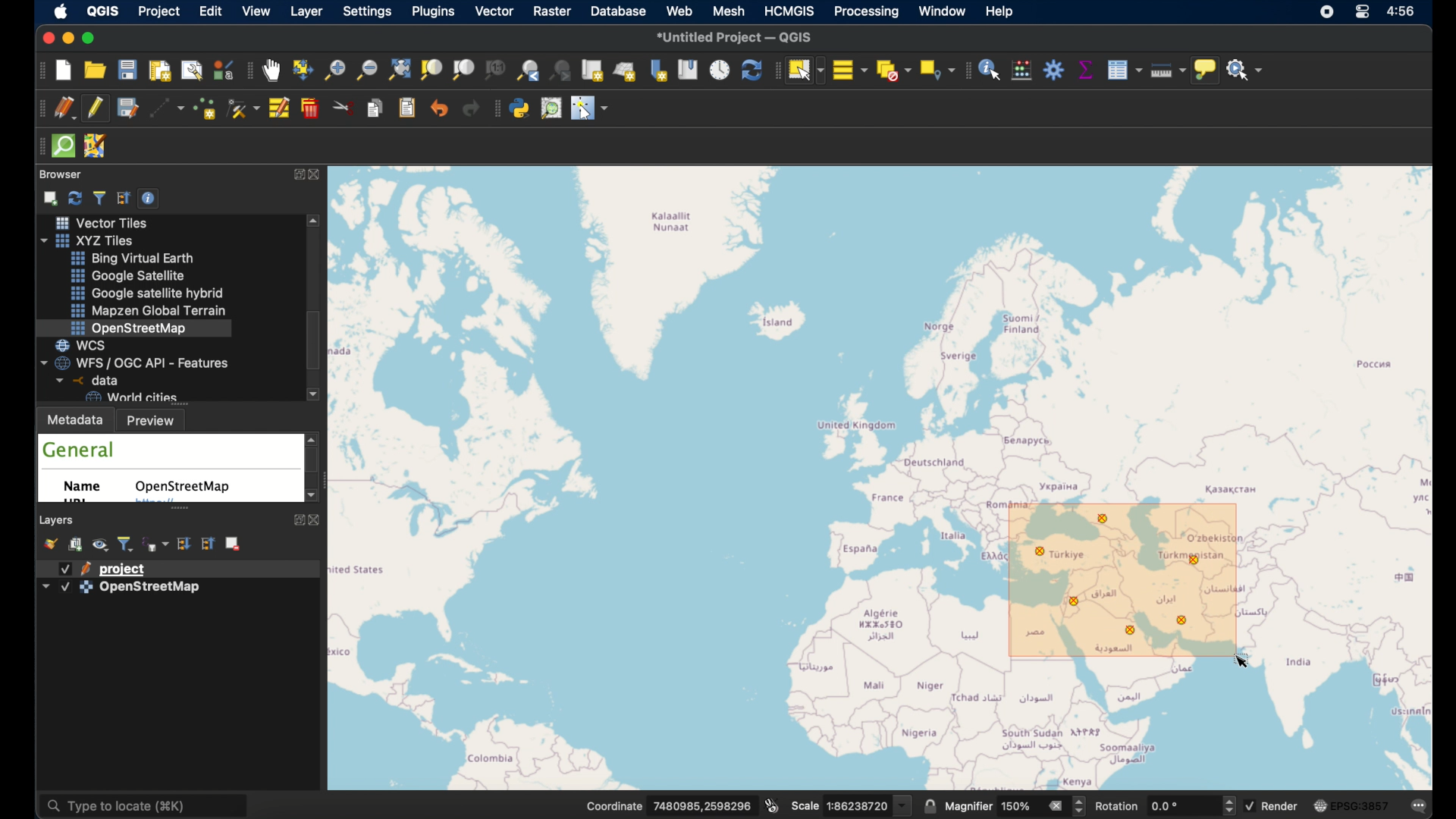 Image resolution: width=1456 pixels, height=819 pixels. I want to click on zoom to native resolution, so click(497, 71).